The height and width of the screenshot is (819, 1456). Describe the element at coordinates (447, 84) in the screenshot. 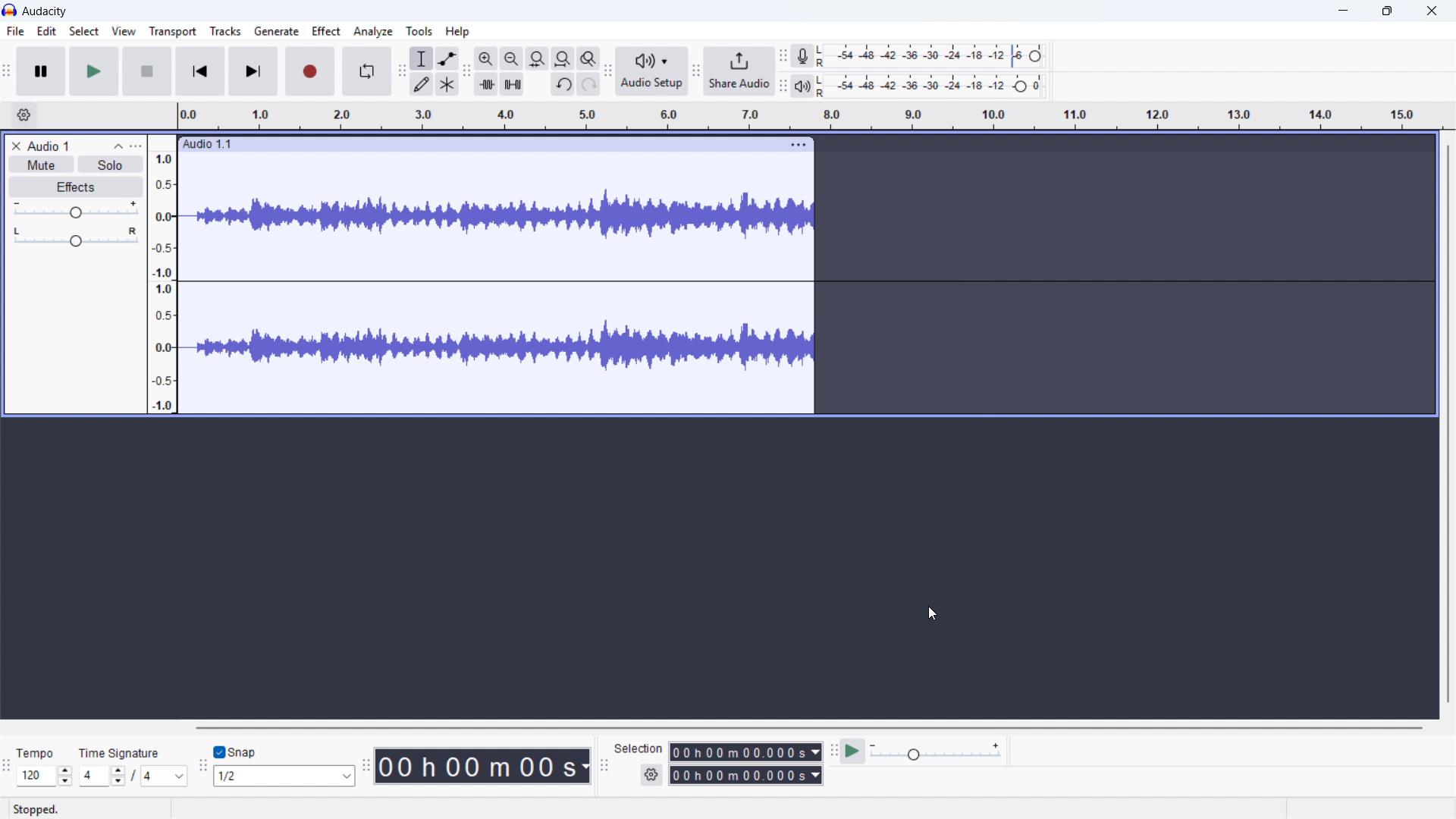

I see `Multi - tool ` at that location.